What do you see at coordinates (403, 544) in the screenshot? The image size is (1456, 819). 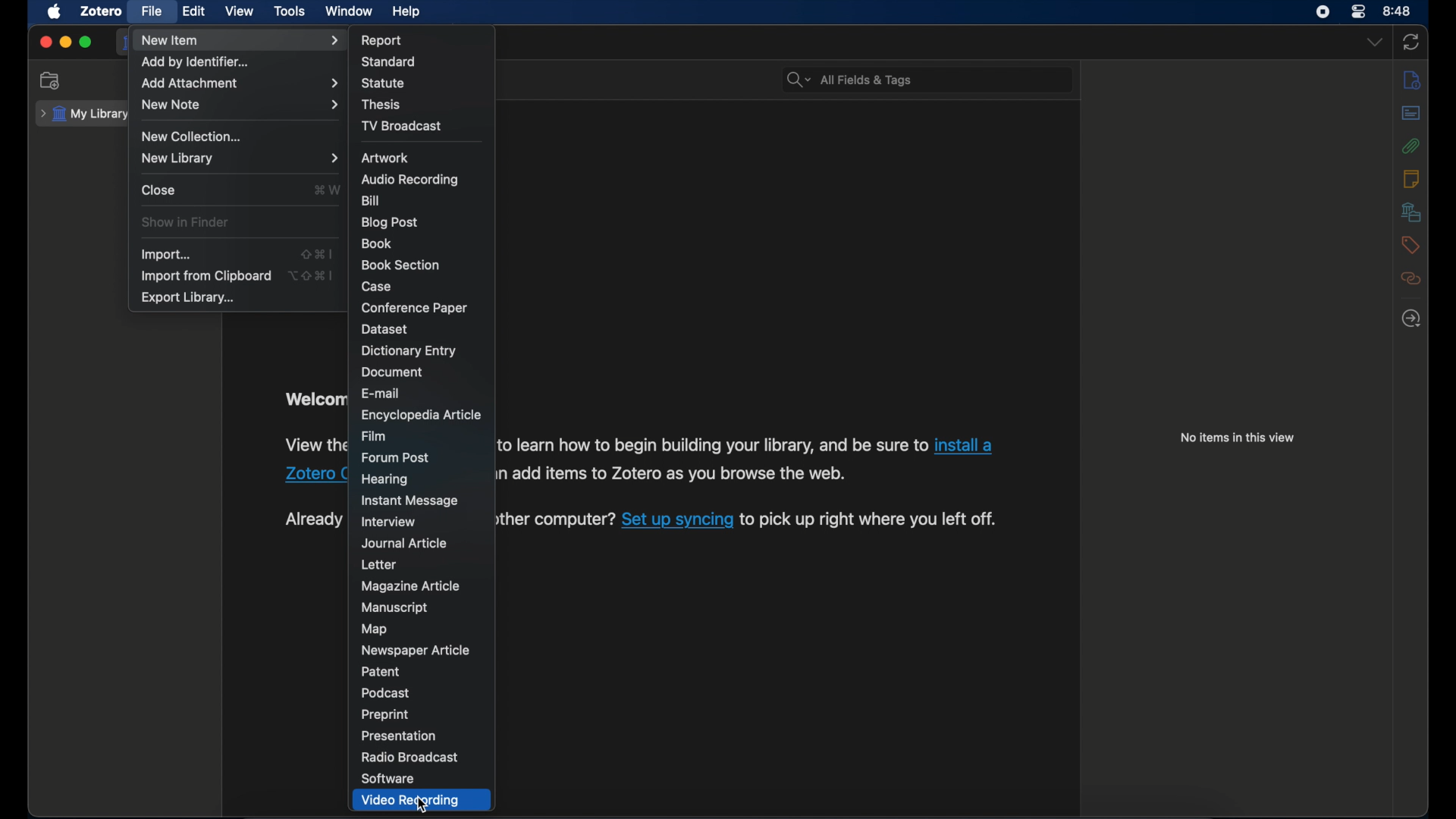 I see `journal article` at bounding box center [403, 544].